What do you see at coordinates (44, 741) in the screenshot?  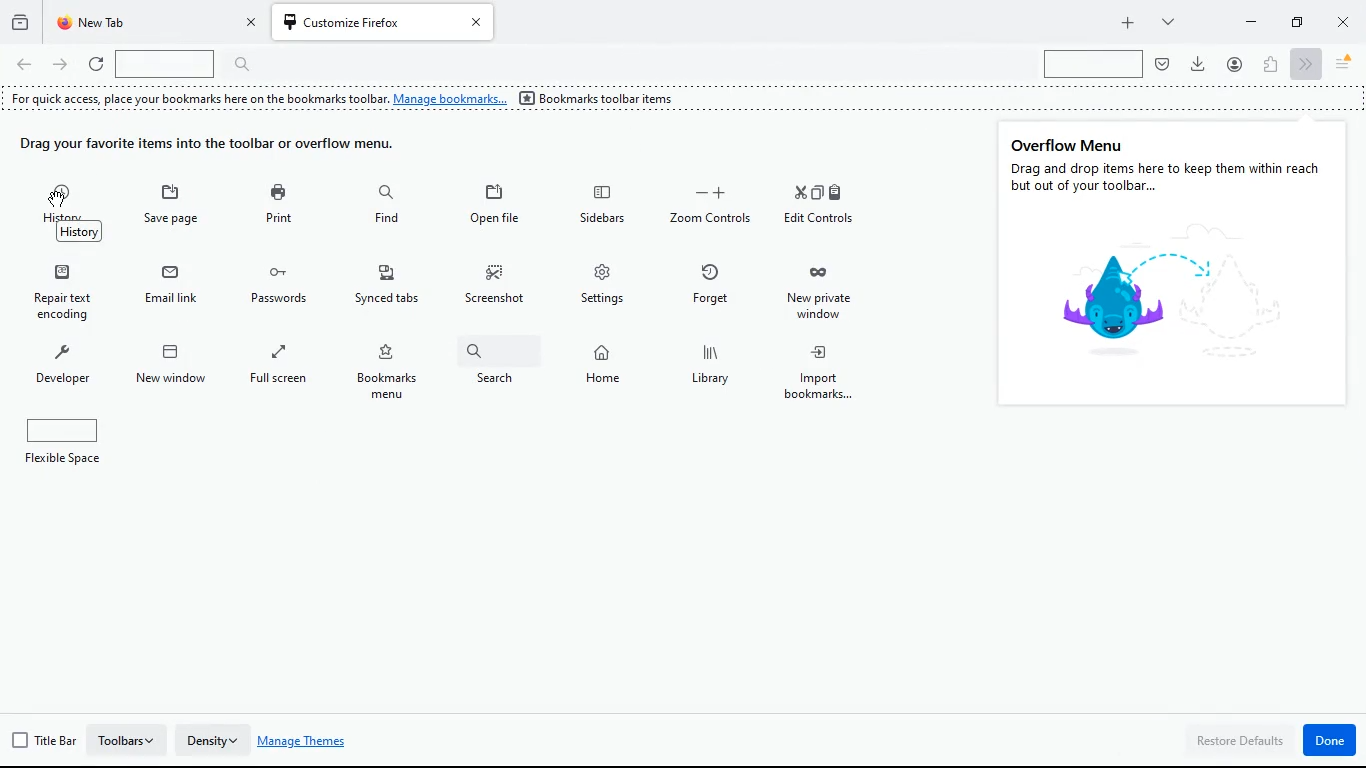 I see `title bar` at bounding box center [44, 741].